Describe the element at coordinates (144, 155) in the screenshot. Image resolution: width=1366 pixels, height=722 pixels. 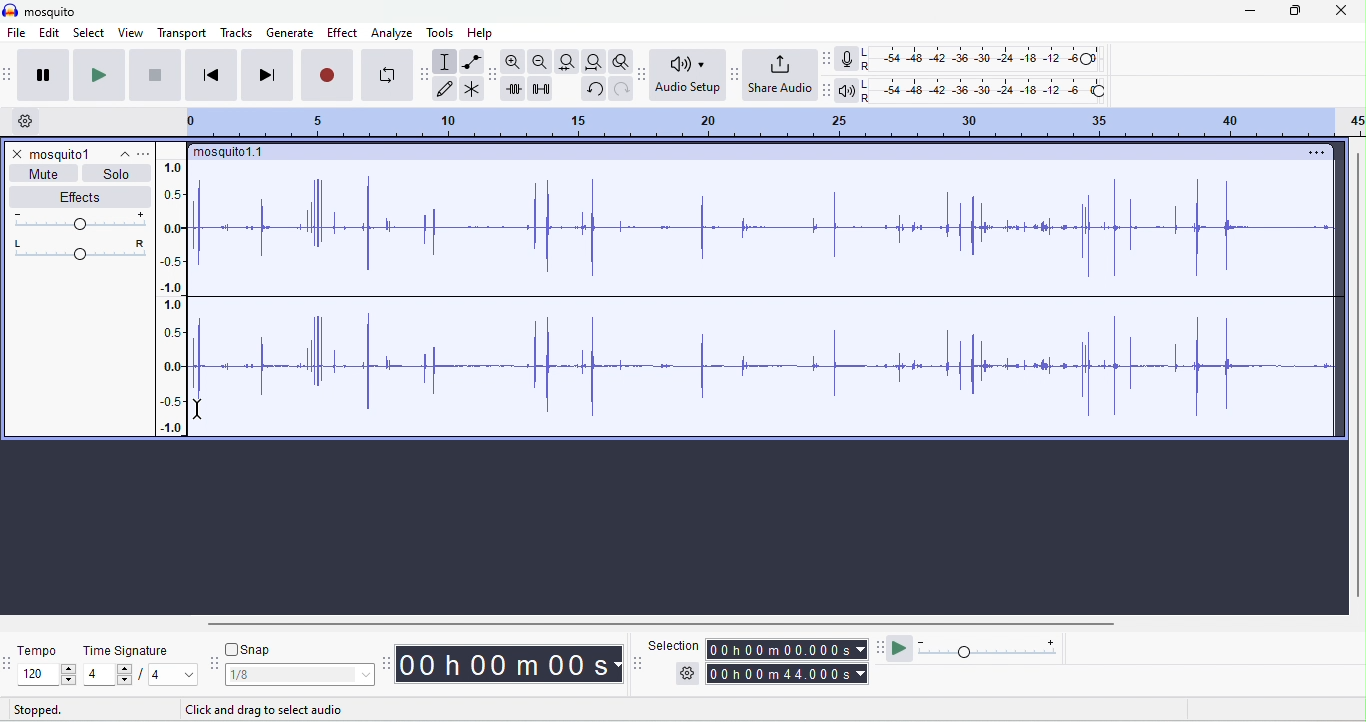
I see `options` at that location.